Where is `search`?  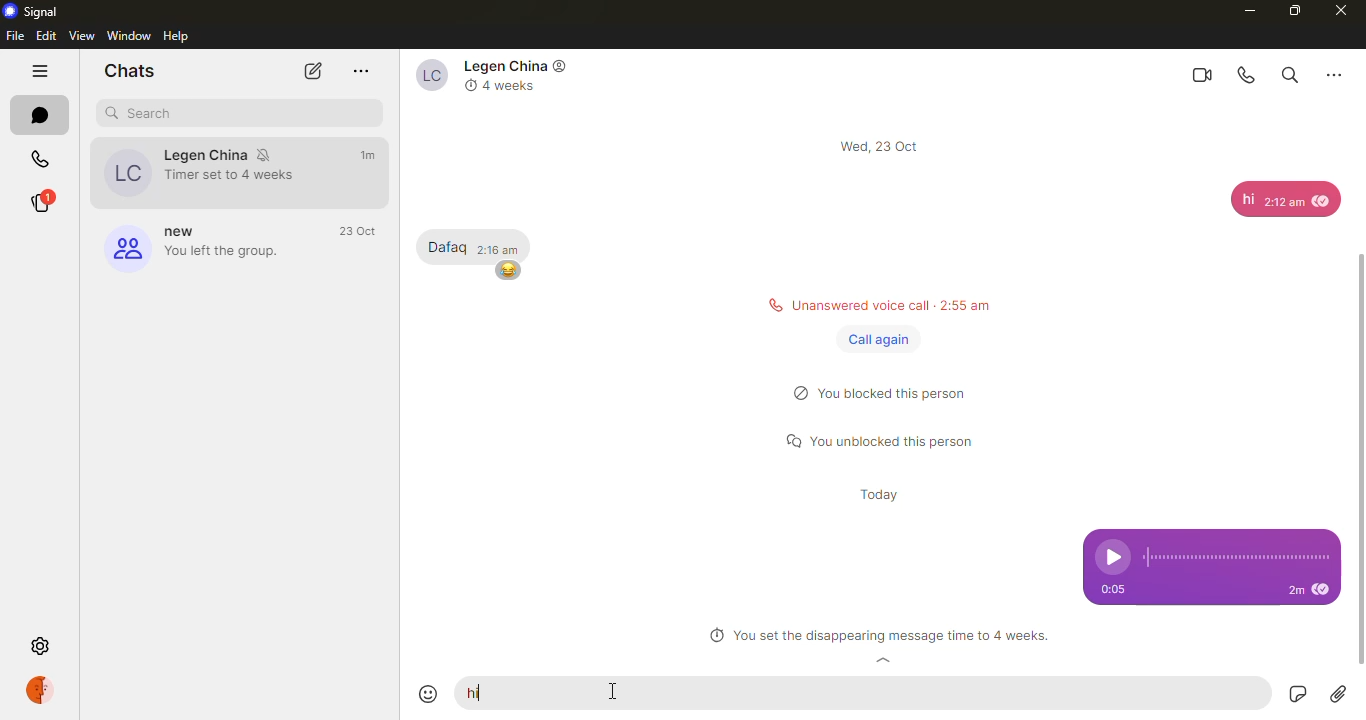
search is located at coordinates (1288, 73).